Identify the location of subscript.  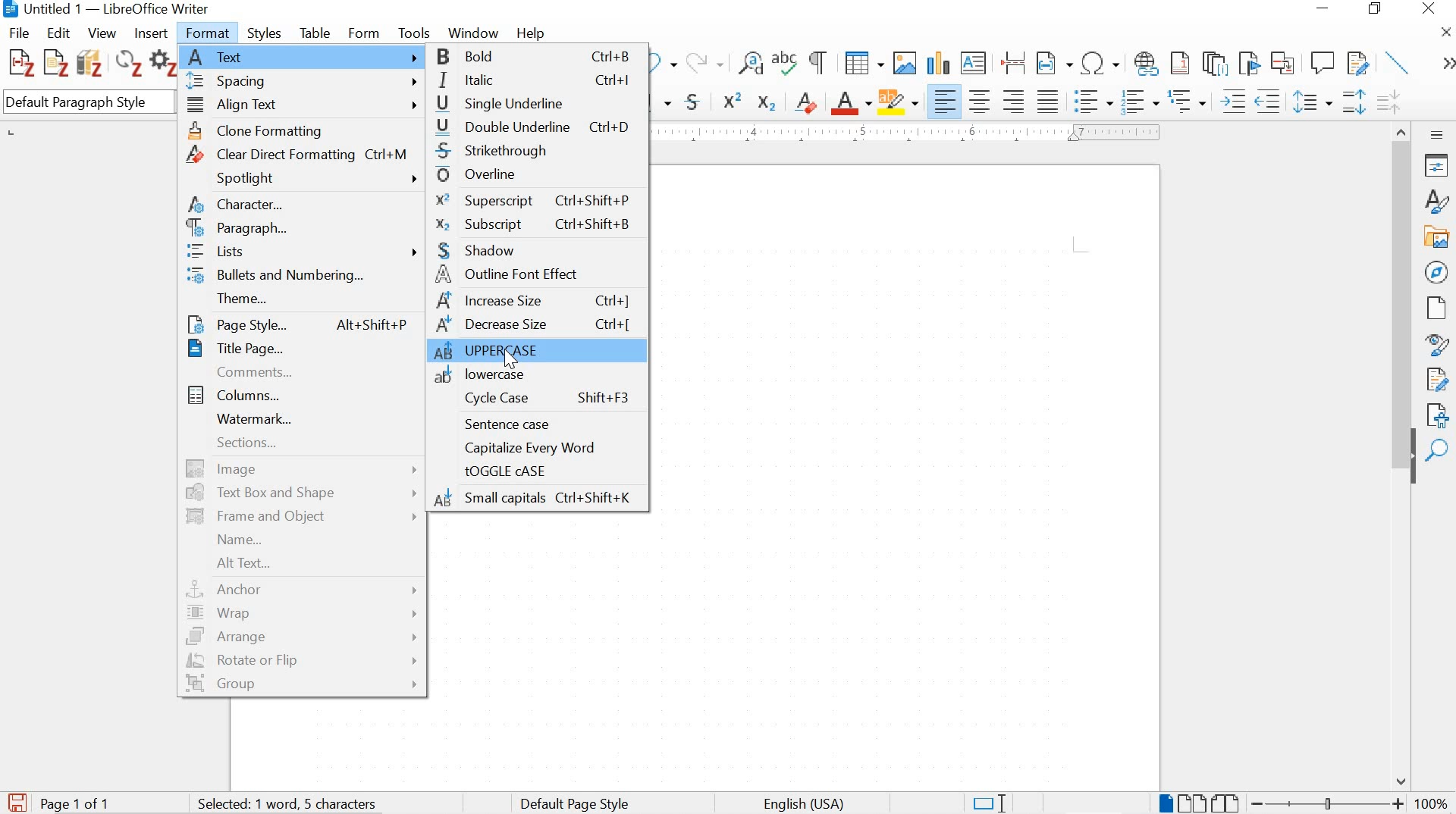
(765, 103).